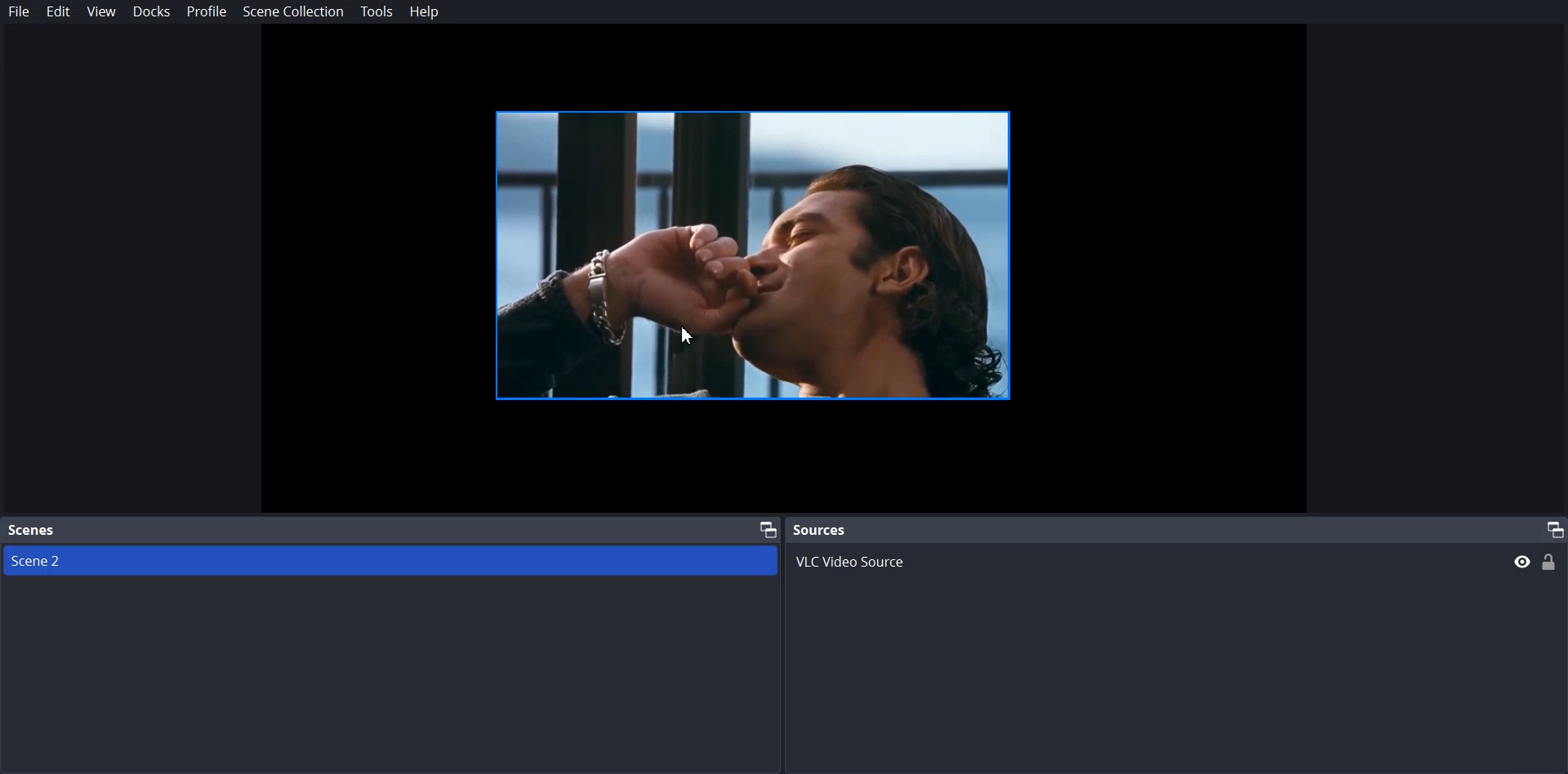 Image resolution: width=1568 pixels, height=774 pixels. Describe the element at coordinates (376, 12) in the screenshot. I see `Tools` at that location.